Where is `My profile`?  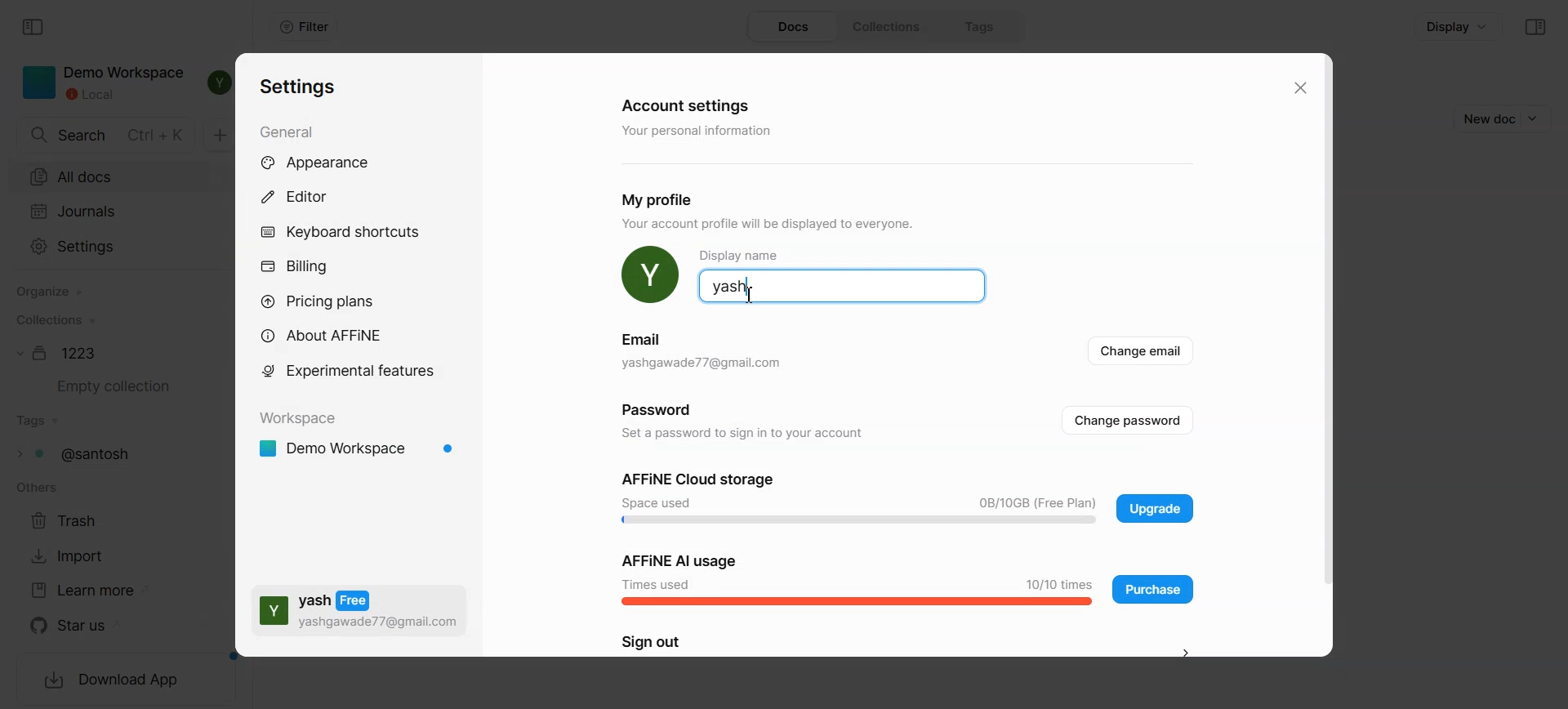
My profile is located at coordinates (664, 199).